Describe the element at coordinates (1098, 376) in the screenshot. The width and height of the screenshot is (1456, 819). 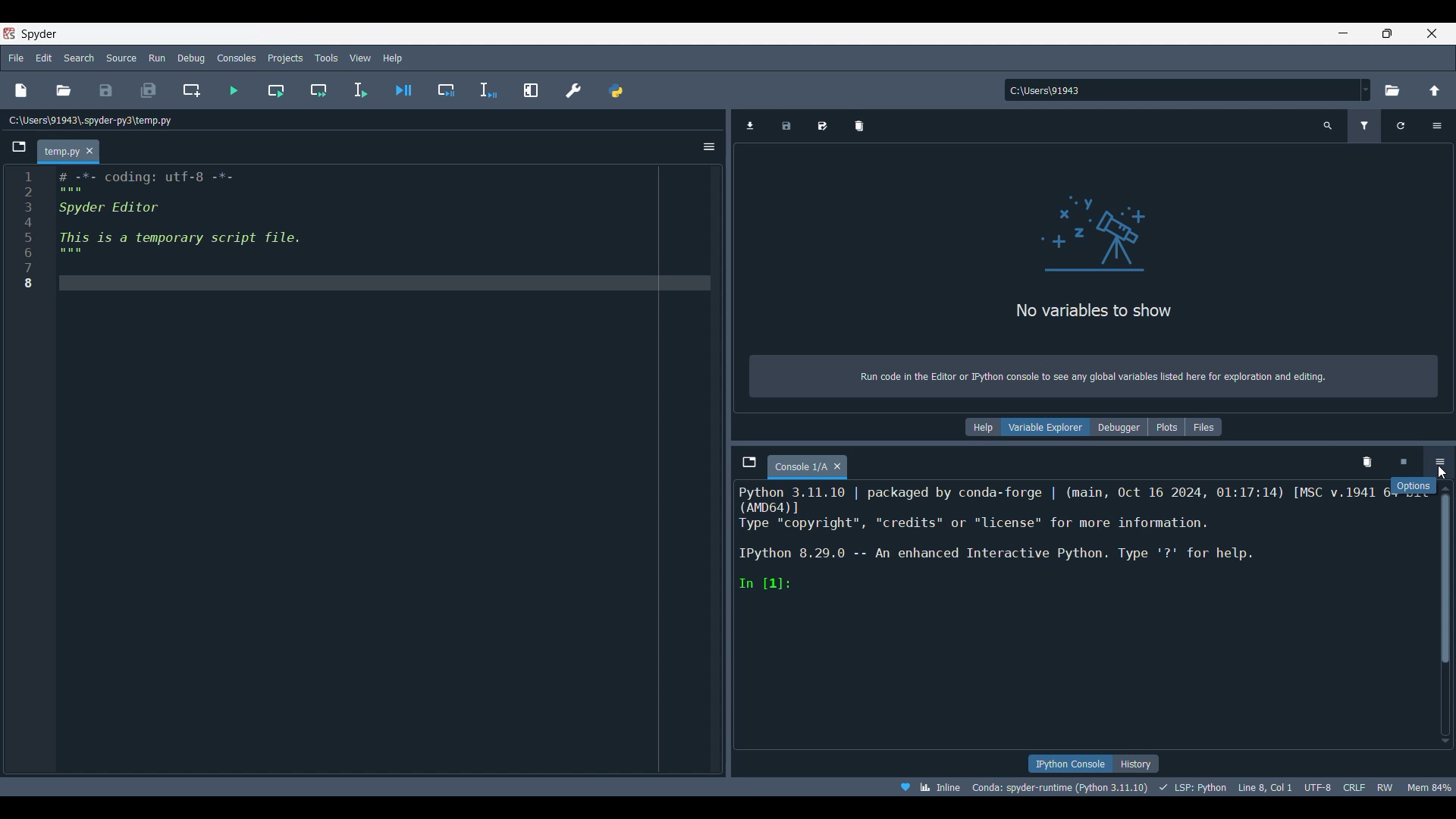
I see `Run code in the Editor or IPython console to see any global variables listed here for exploration and editing.` at that location.